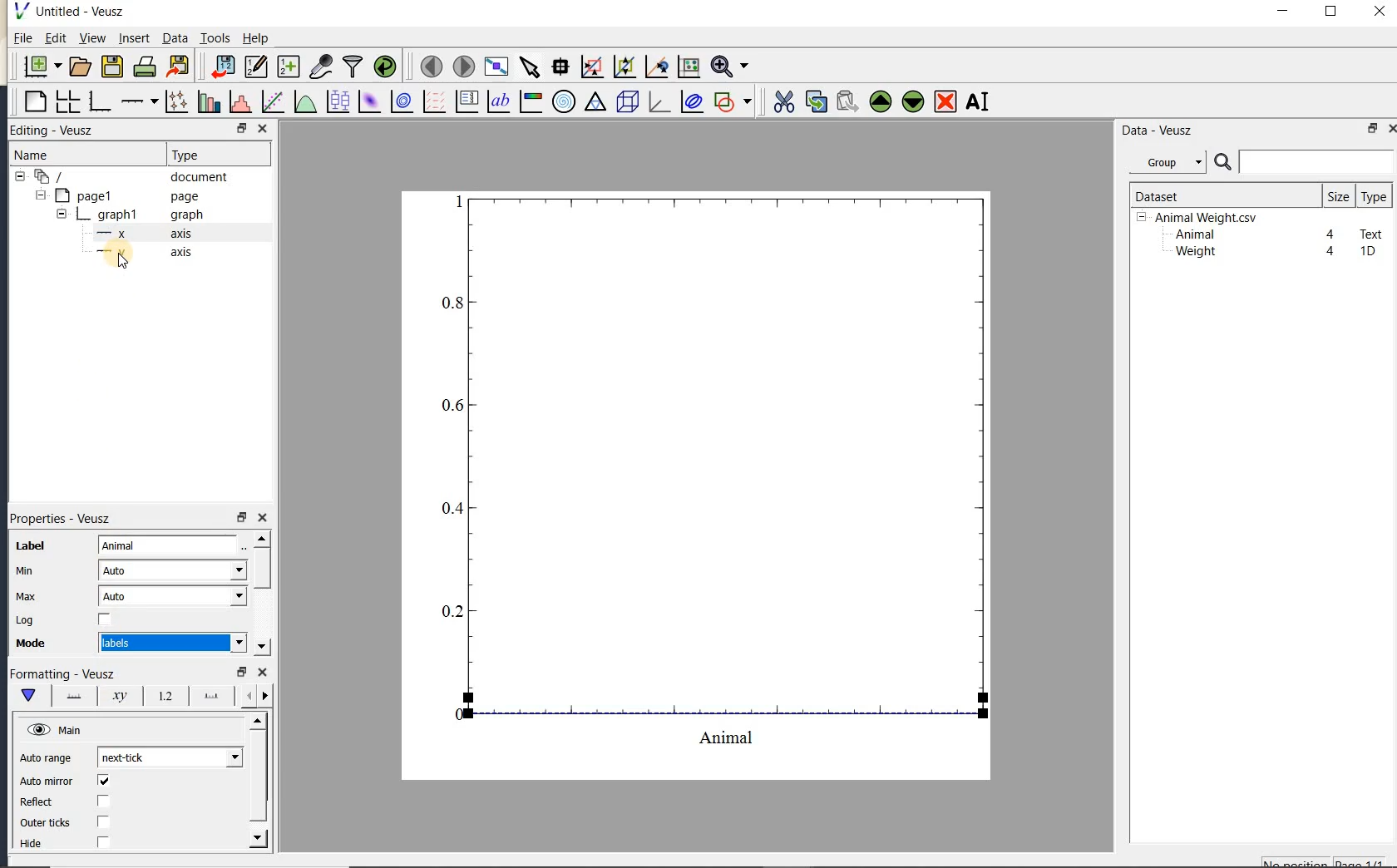 This screenshot has height=868, width=1397. What do you see at coordinates (162, 695) in the screenshot?
I see `tick labels` at bounding box center [162, 695].